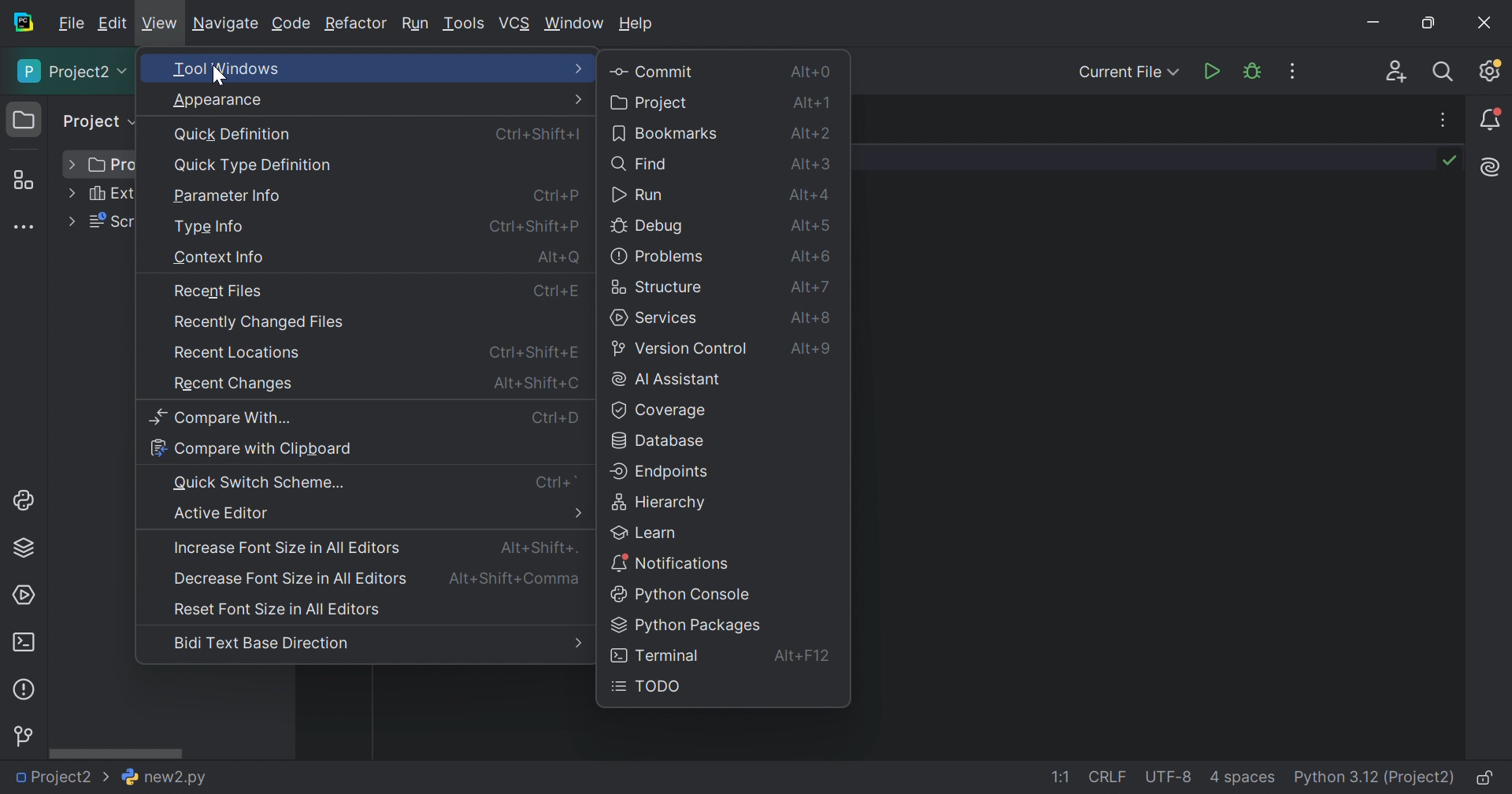 The width and height of the screenshot is (1512, 794). I want to click on new2.py, so click(163, 777).